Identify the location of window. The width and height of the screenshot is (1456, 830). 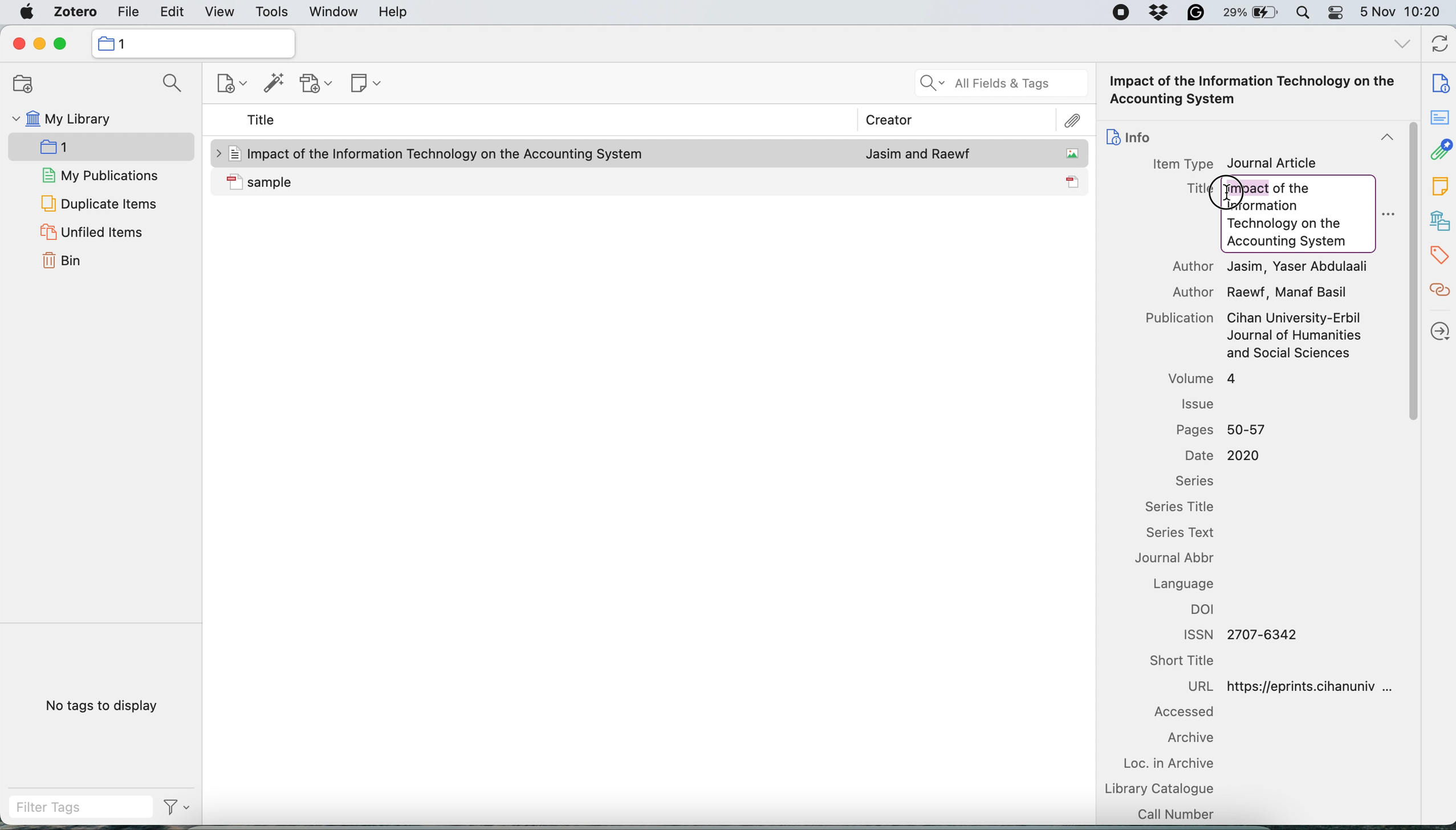
(334, 12).